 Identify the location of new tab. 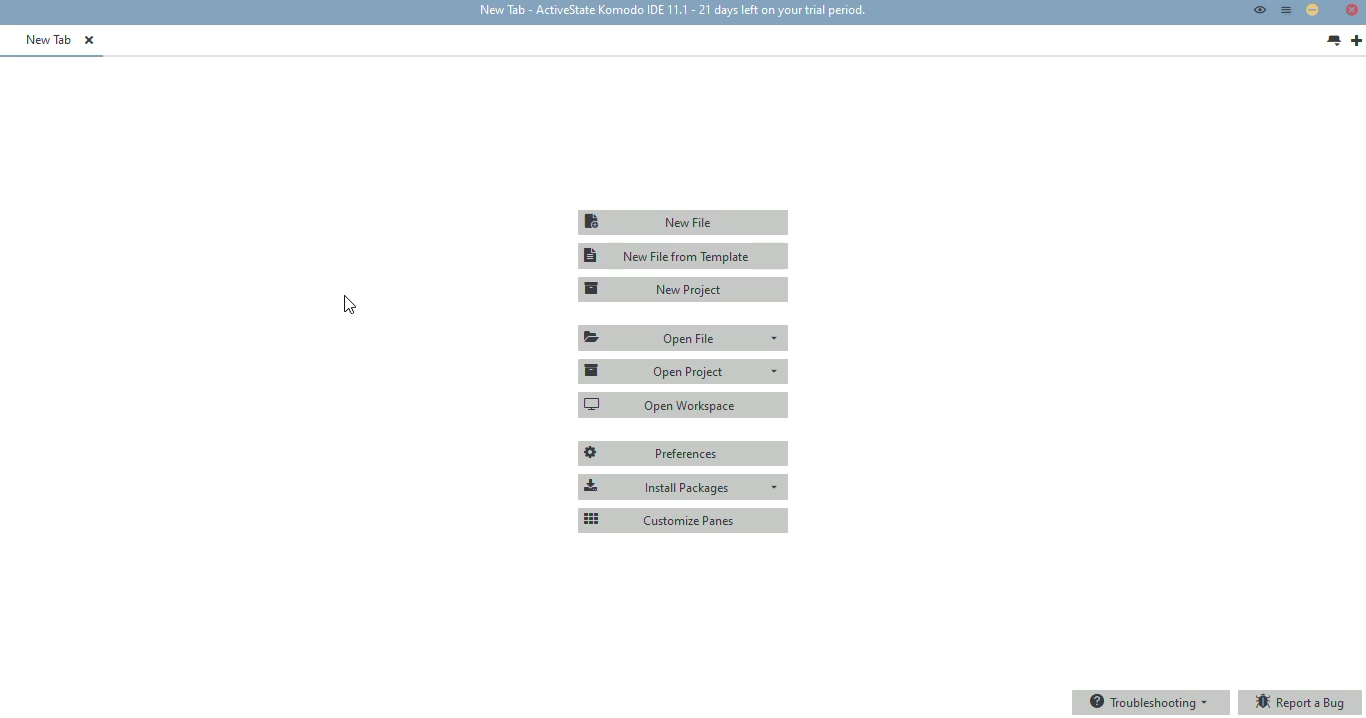
(1357, 41).